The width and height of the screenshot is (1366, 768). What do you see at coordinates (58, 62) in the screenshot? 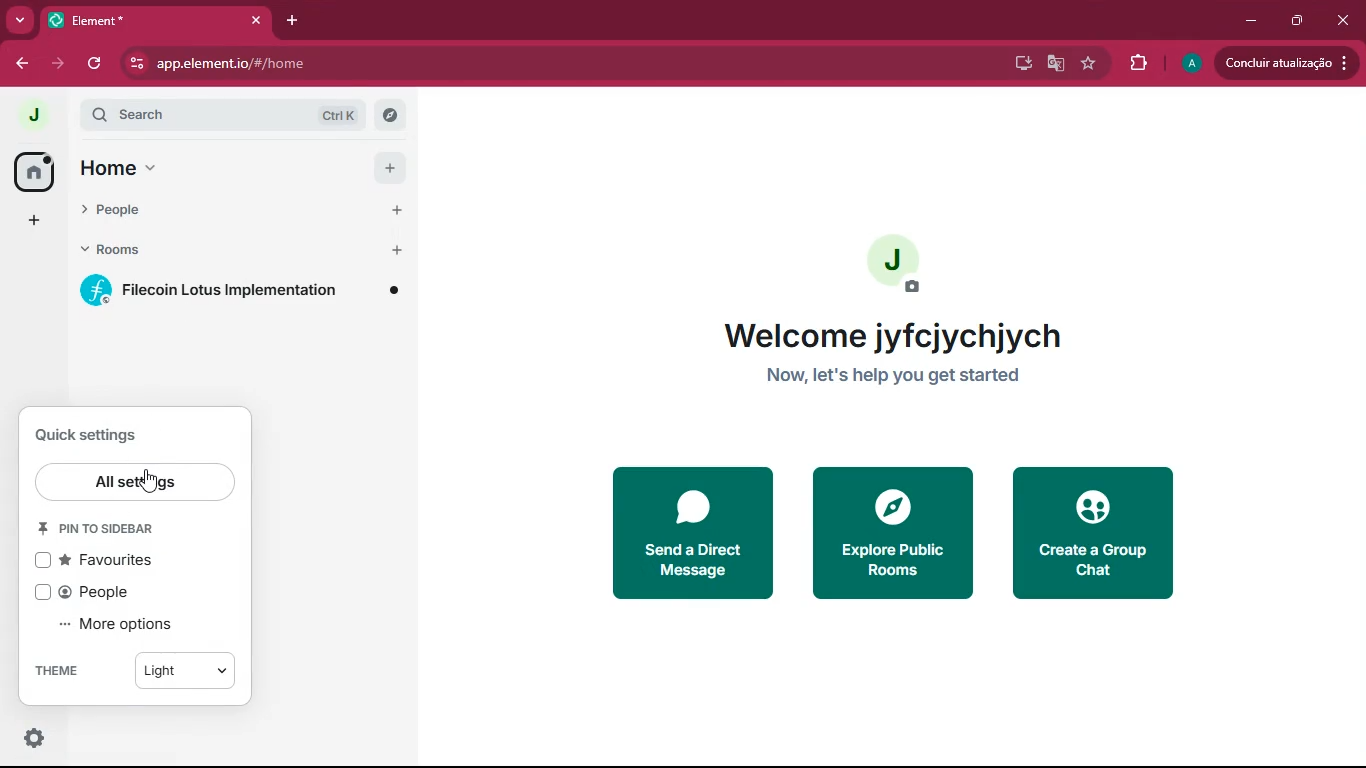
I see `forward` at bounding box center [58, 62].